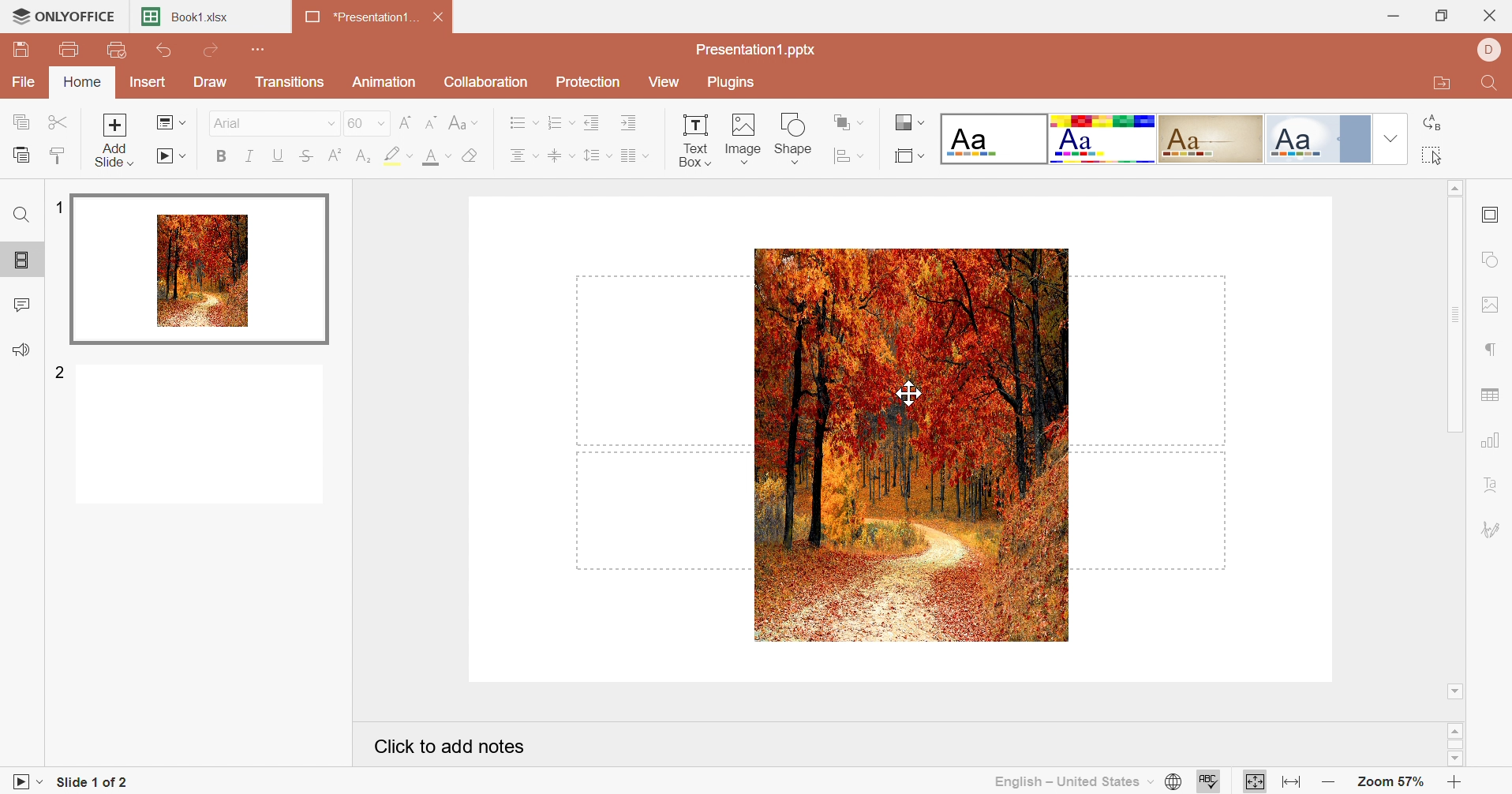 Image resolution: width=1512 pixels, height=794 pixels. What do you see at coordinates (908, 396) in the screenshot?
I see `Cursor` at bounding box center [908, 396].